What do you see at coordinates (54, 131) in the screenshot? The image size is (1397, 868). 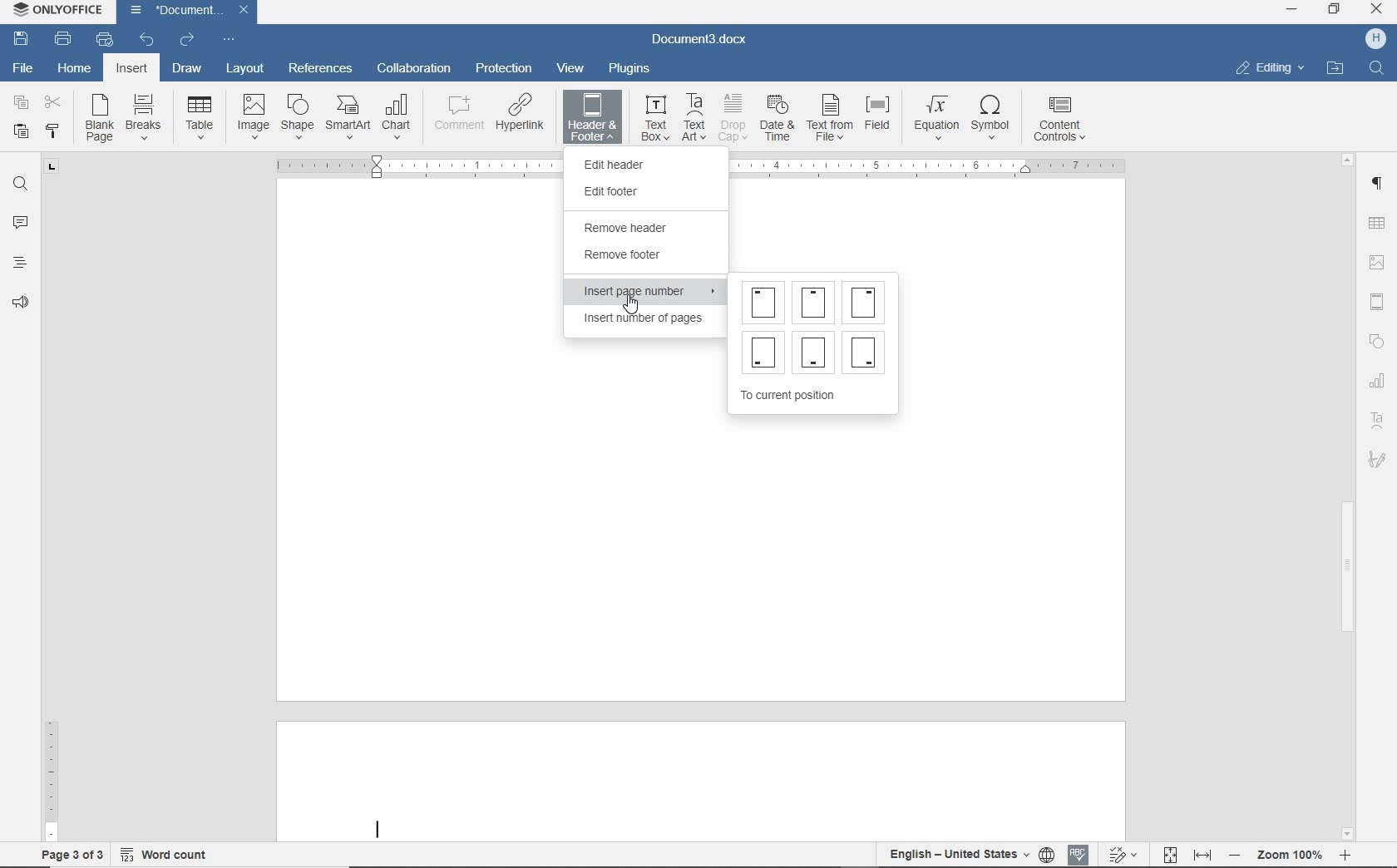 I see `COPY STYLE` at bounding box center [54, 131].